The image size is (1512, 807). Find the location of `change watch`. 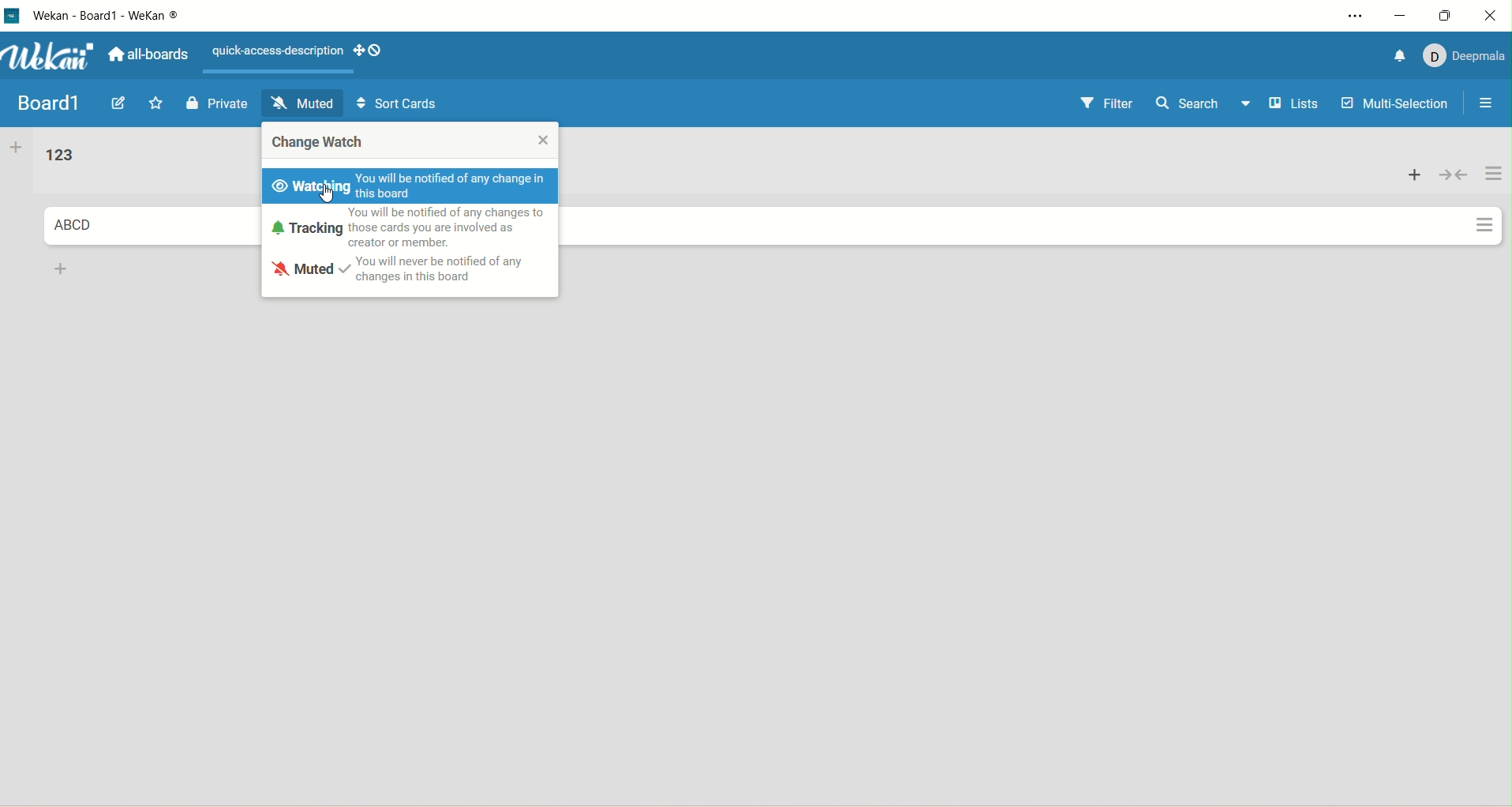

change watch is located at coordinates (320, 145).